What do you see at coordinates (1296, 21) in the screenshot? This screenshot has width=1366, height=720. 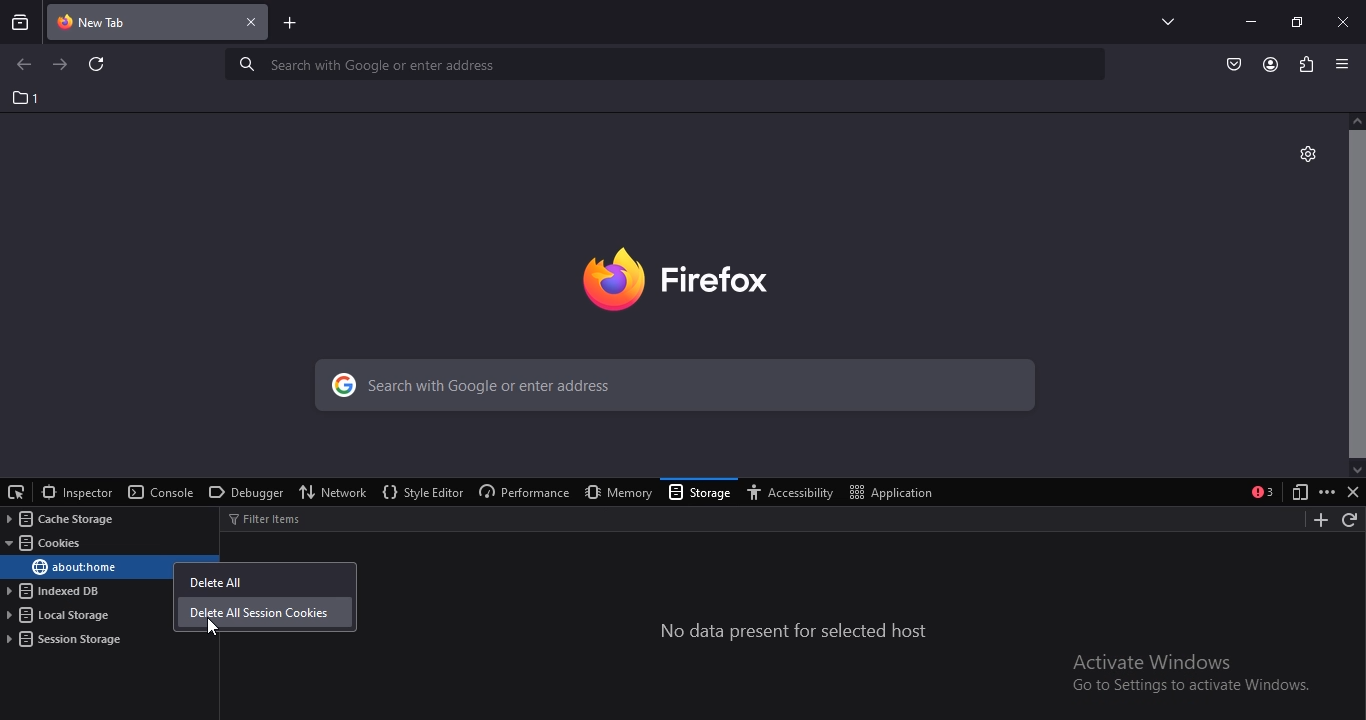 I see `restore` at bounding box center [1296, 21].